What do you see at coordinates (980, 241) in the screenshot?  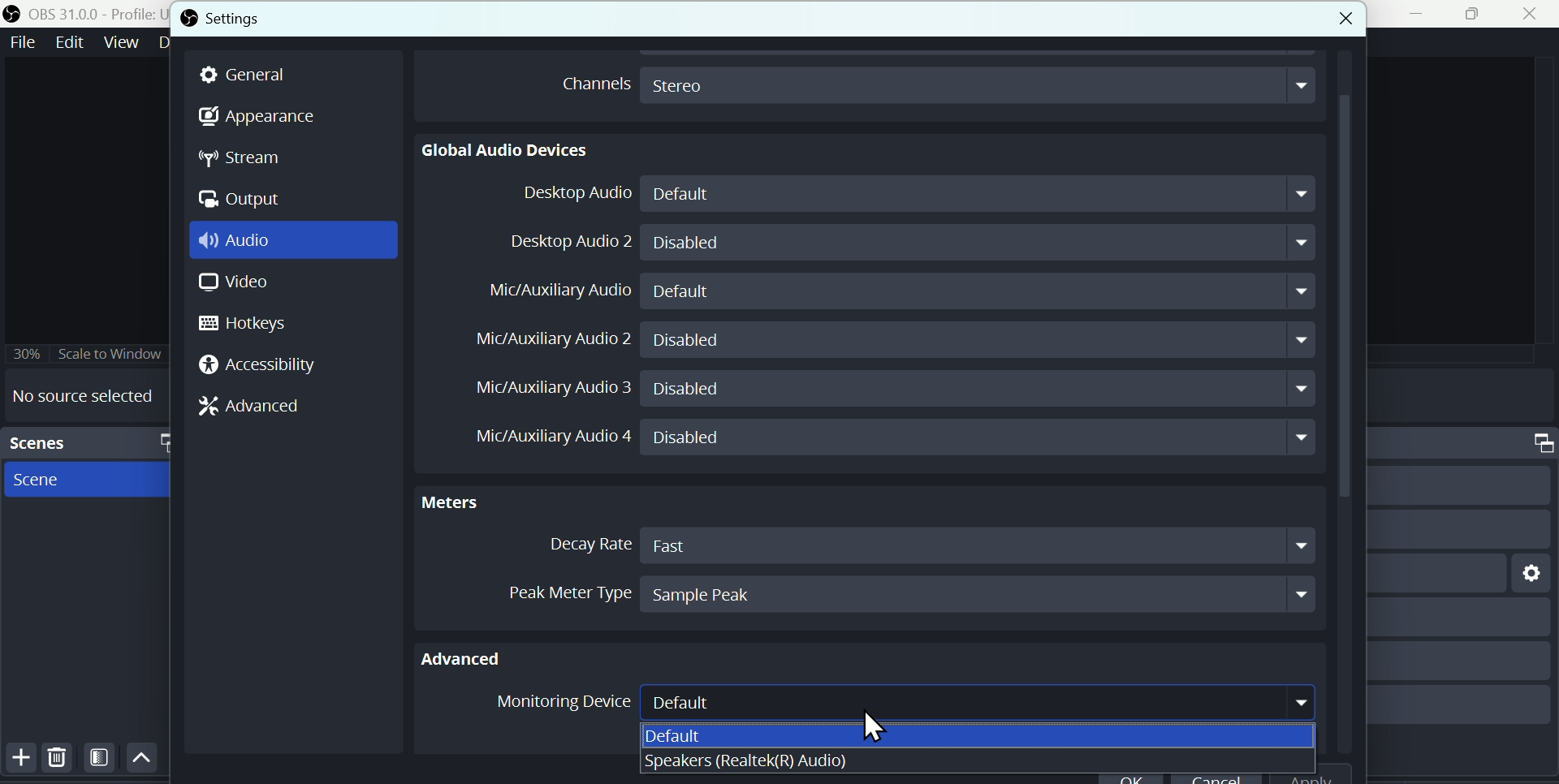 I see `Disabled` at bounding box center [980, 241].